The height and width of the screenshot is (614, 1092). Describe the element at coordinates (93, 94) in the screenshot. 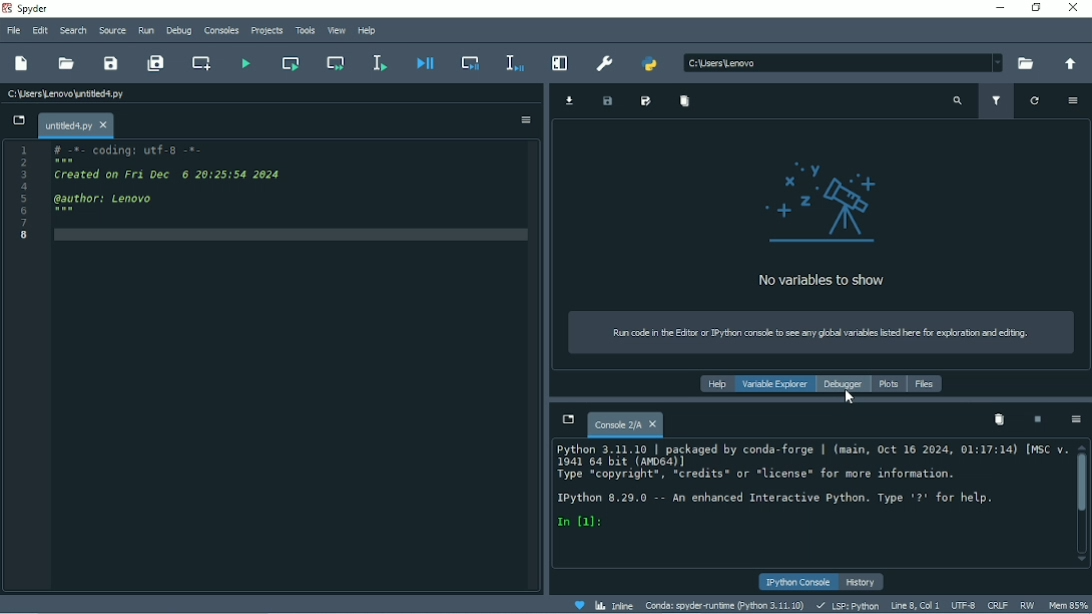

I see `C:\sers\Lenovo untitedd.oy` at that location.